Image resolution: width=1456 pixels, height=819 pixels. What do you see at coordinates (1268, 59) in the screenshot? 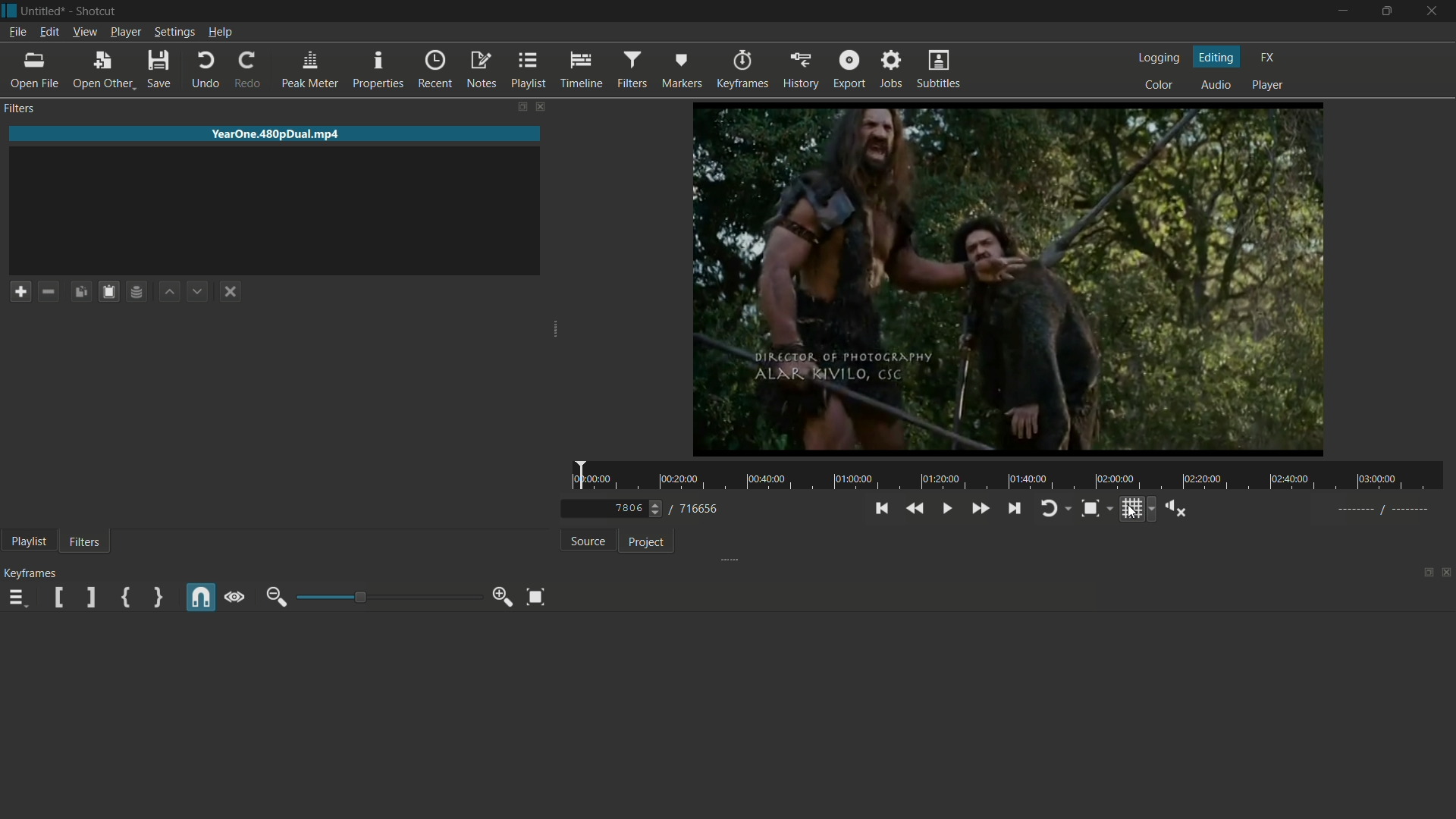
I see `fx` at bounding box center [1268, 59].